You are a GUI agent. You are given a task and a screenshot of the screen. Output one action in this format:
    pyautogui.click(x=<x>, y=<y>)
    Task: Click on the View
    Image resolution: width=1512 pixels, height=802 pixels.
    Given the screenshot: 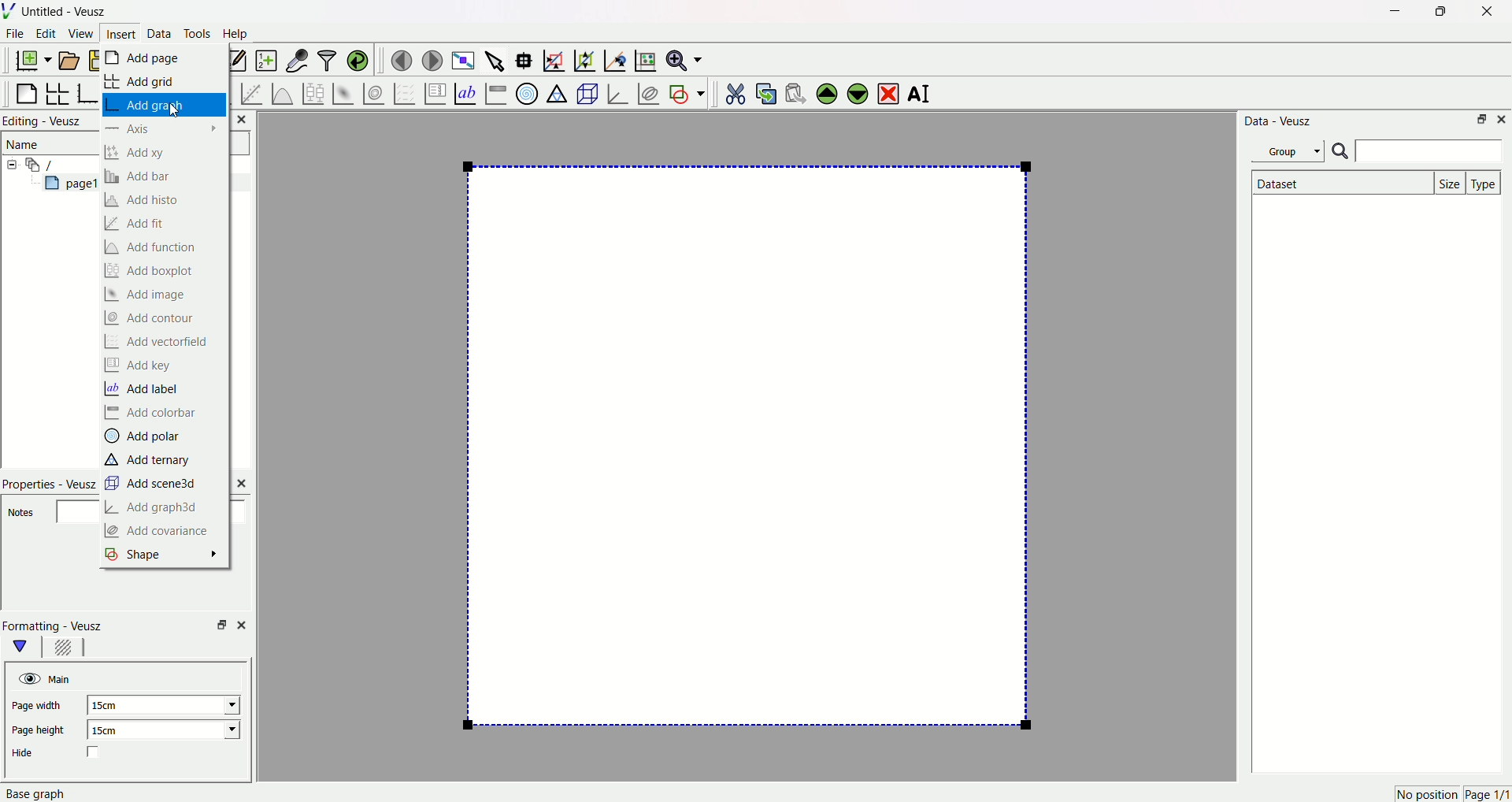 What is the action you would take?
    pyautogui.click(x=81, y=35)
    